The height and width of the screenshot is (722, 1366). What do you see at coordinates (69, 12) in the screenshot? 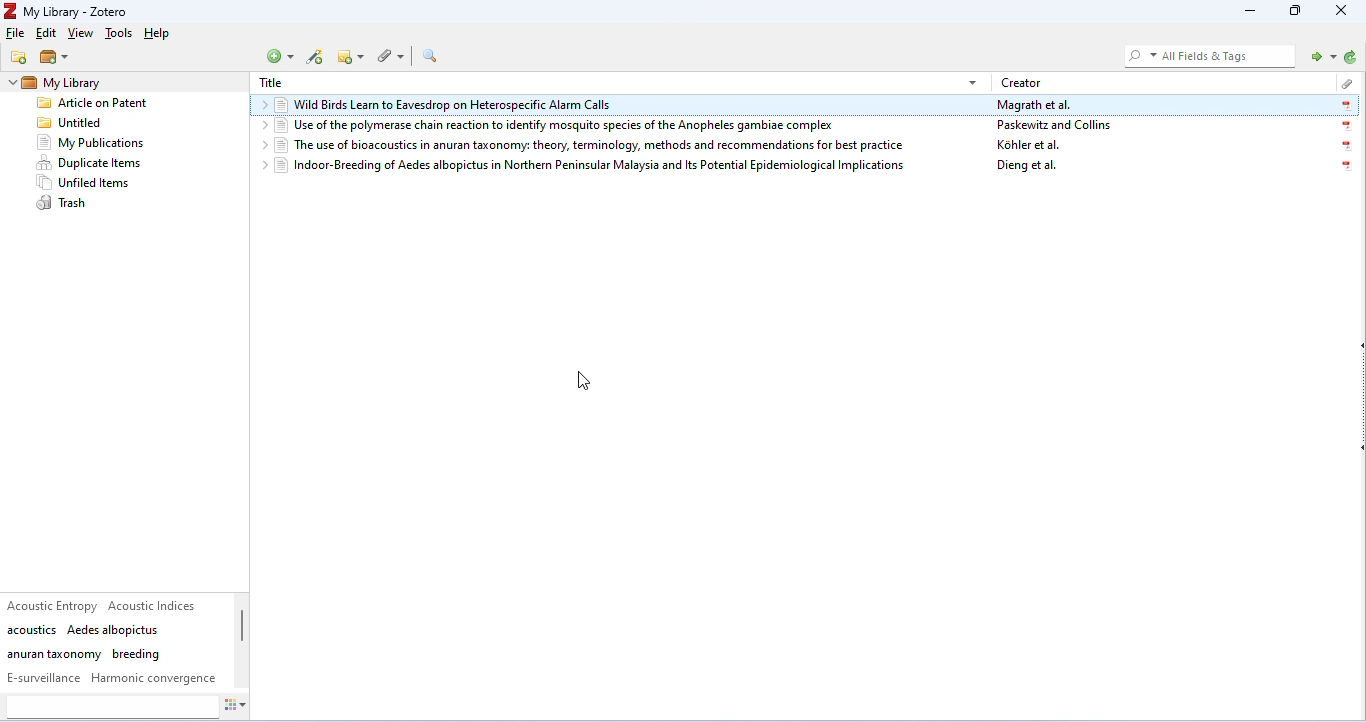
I see `My Library - Zotero` at bounding box center [69, 12].